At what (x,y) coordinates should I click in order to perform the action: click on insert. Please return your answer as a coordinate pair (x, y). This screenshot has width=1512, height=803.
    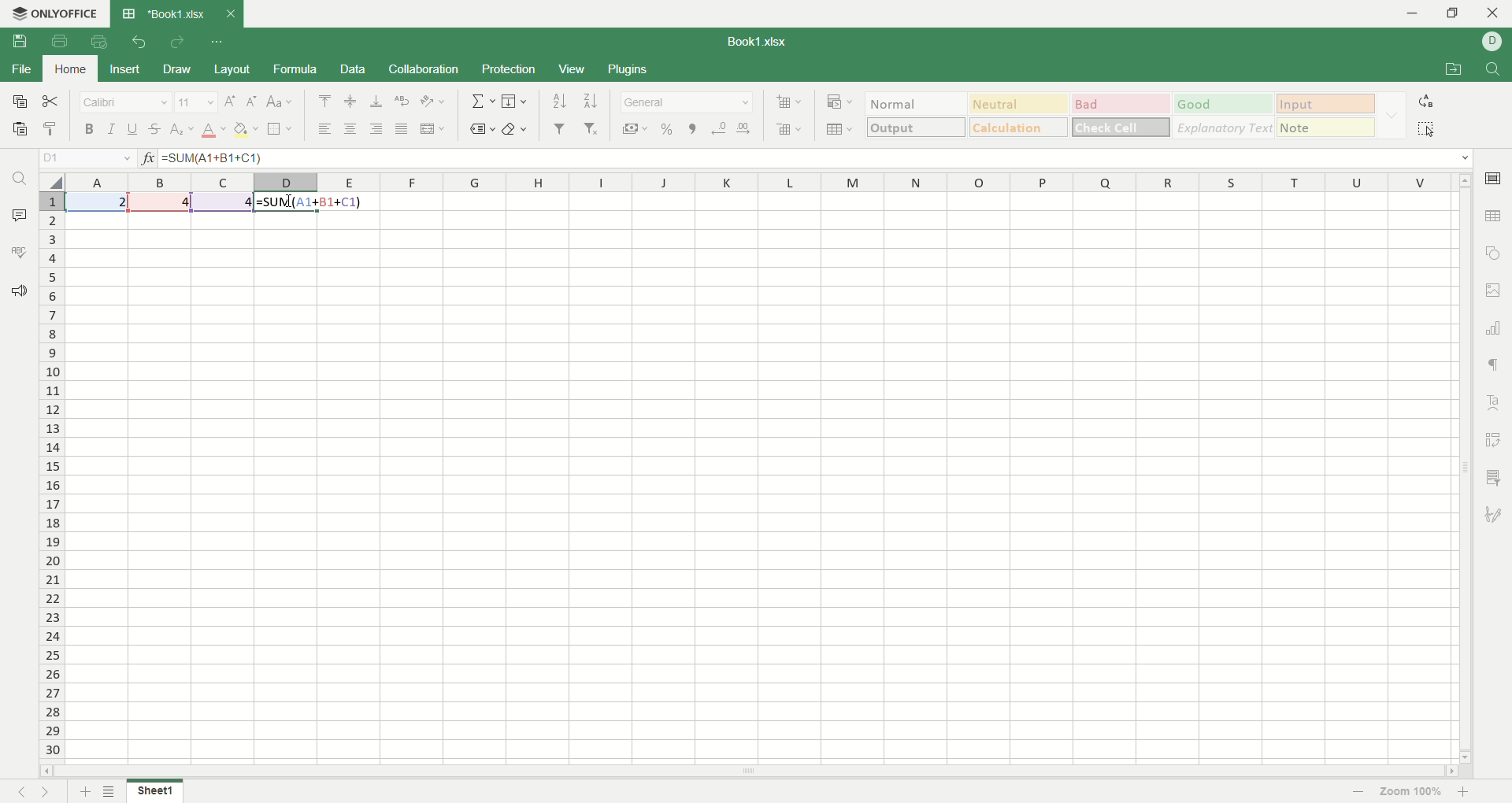
    Looking at the image, I should click on (121, 70).